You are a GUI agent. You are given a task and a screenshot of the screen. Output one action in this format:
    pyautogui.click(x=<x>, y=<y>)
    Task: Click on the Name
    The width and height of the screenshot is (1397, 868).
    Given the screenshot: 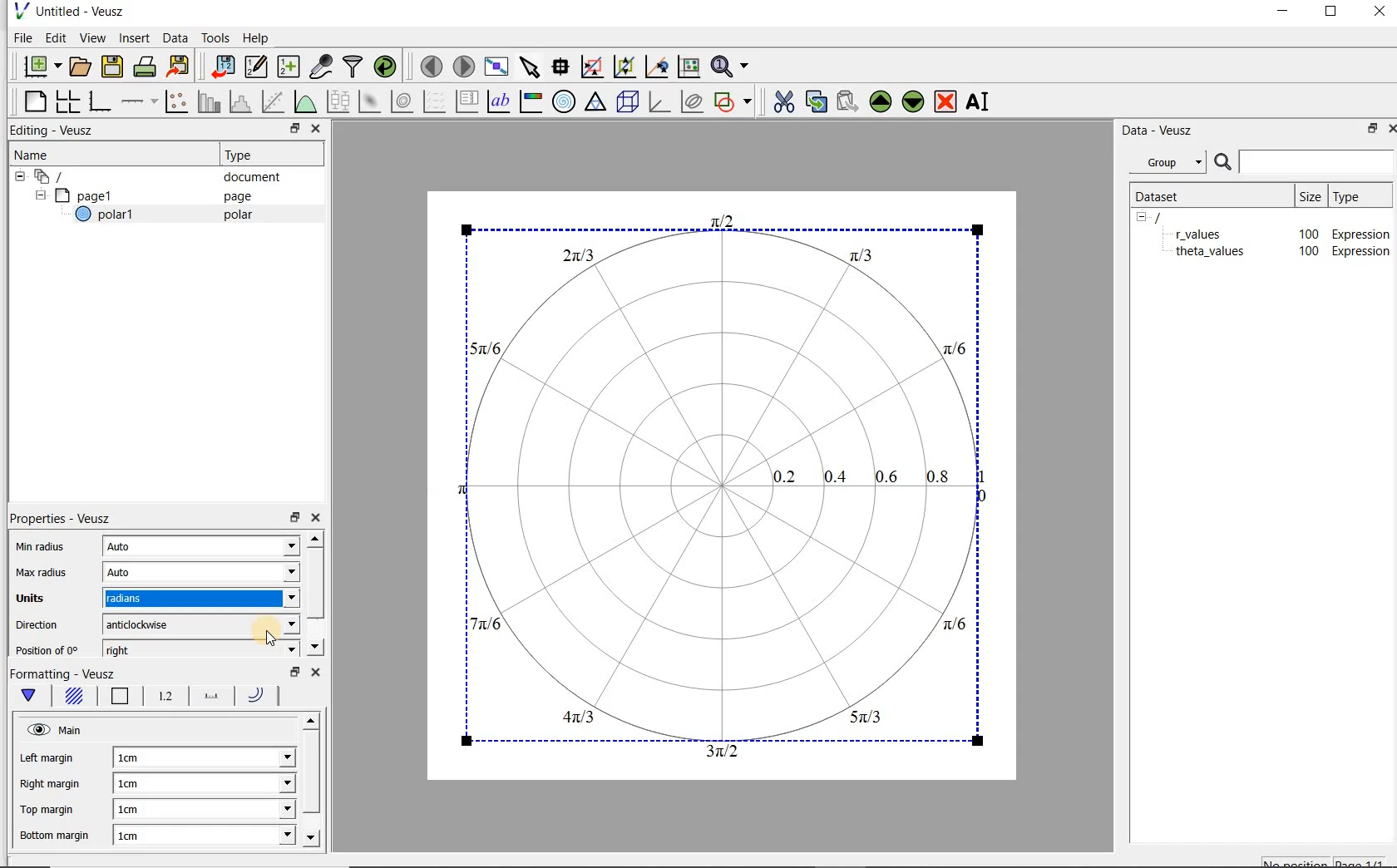 What is the action you would take?
    pyautogui.click(x=37, y=154)
    